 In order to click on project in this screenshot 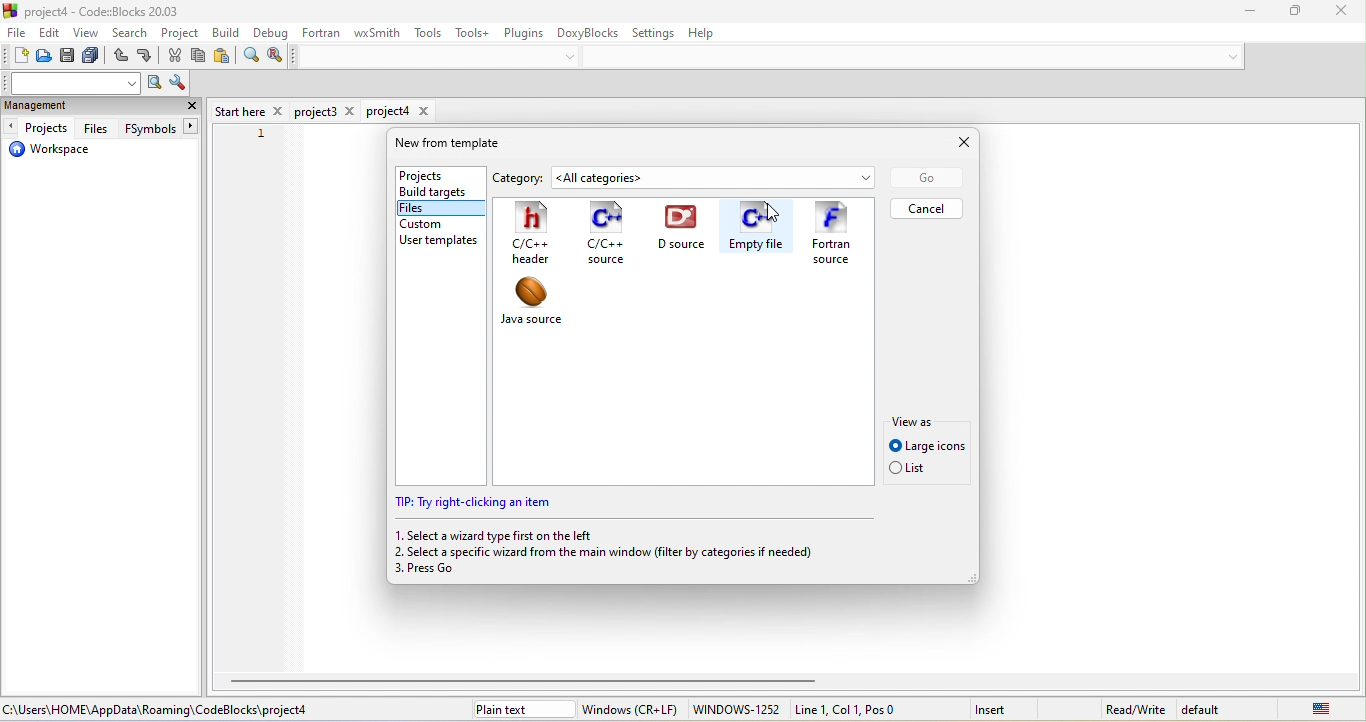, I will do `click(181, 34)`.